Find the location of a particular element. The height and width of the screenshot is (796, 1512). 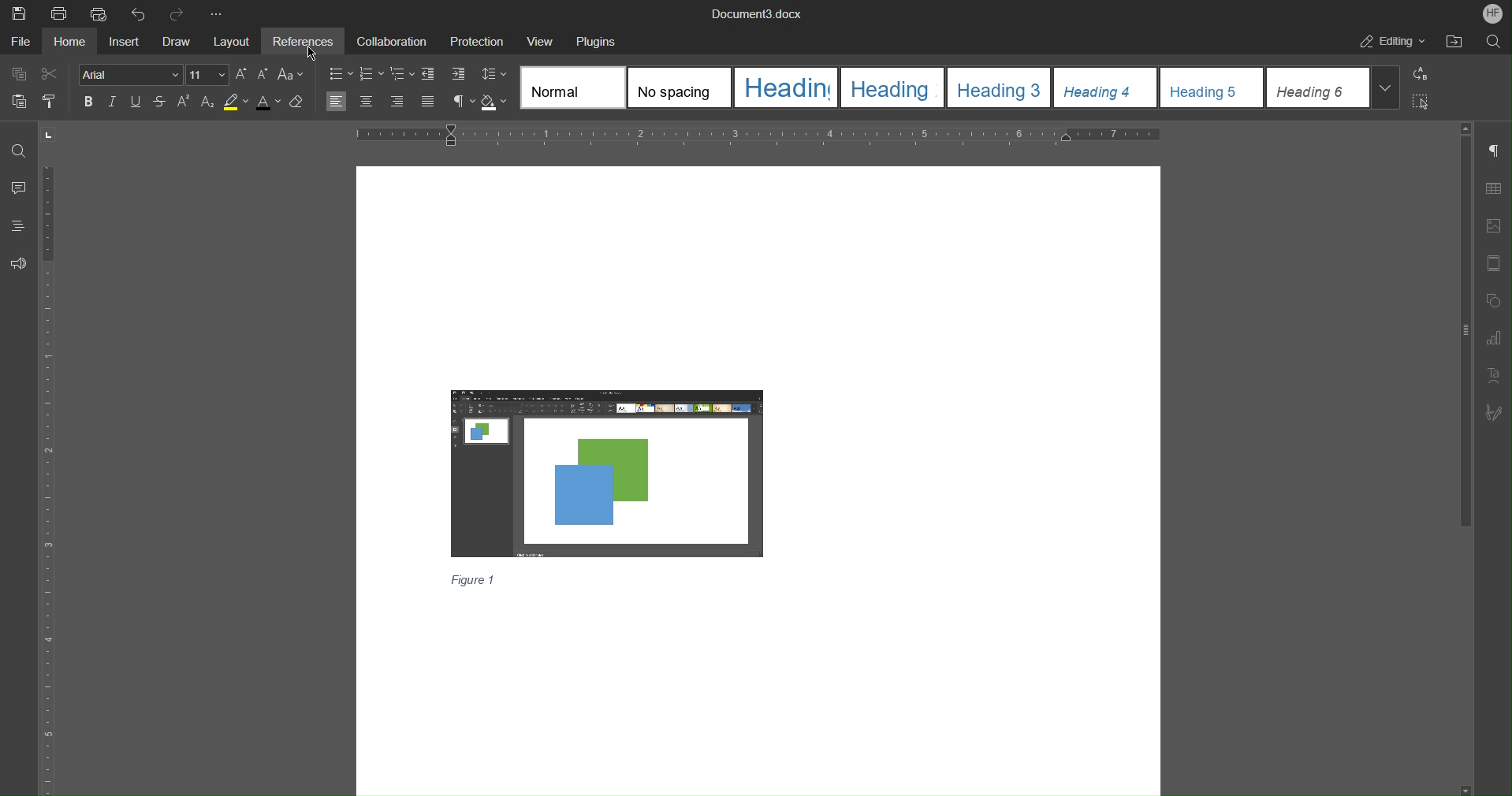

Cut is located at coordinates (50, 74).